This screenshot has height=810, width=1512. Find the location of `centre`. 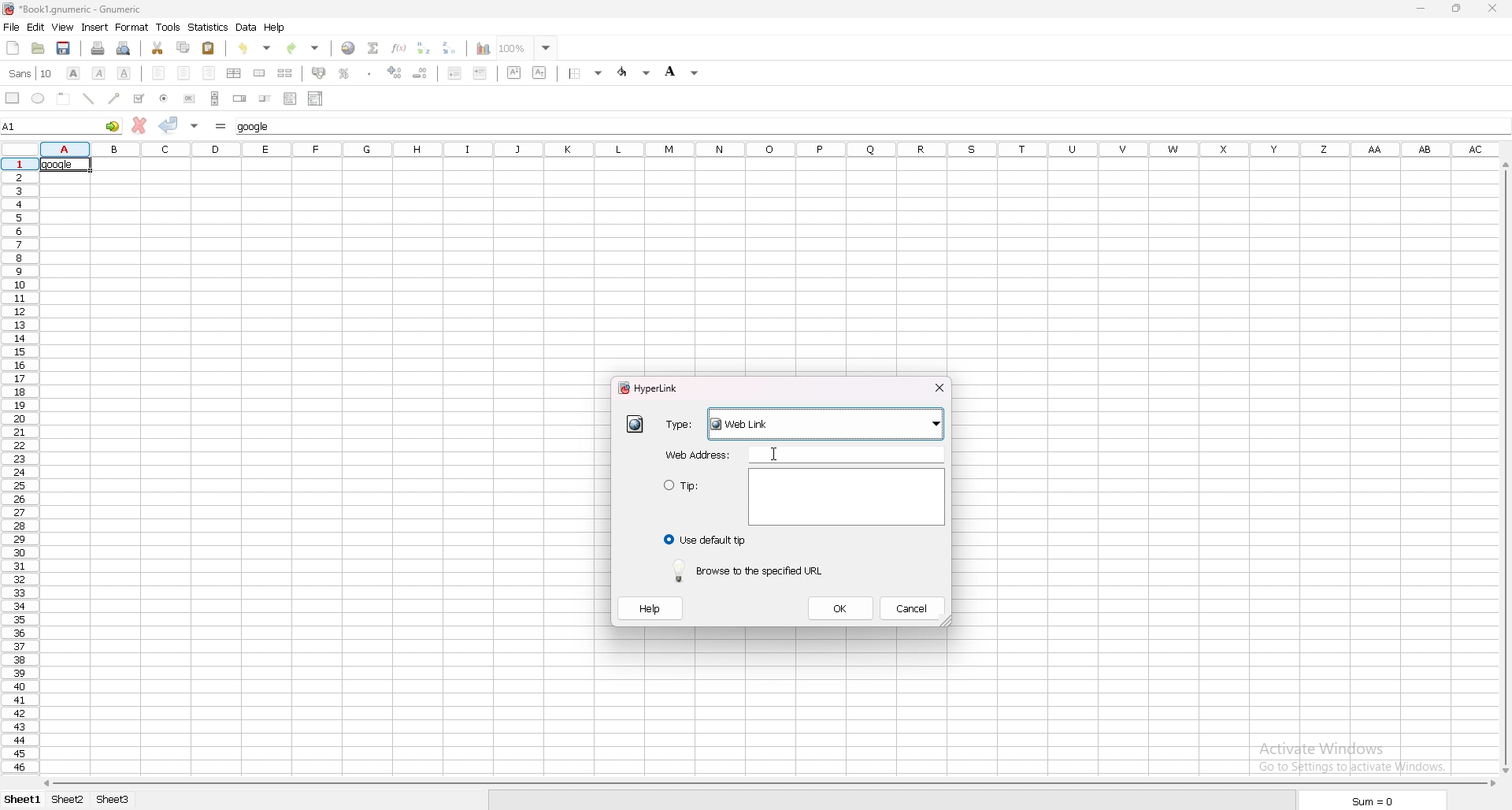

centre is located at coordinates (183, 72).